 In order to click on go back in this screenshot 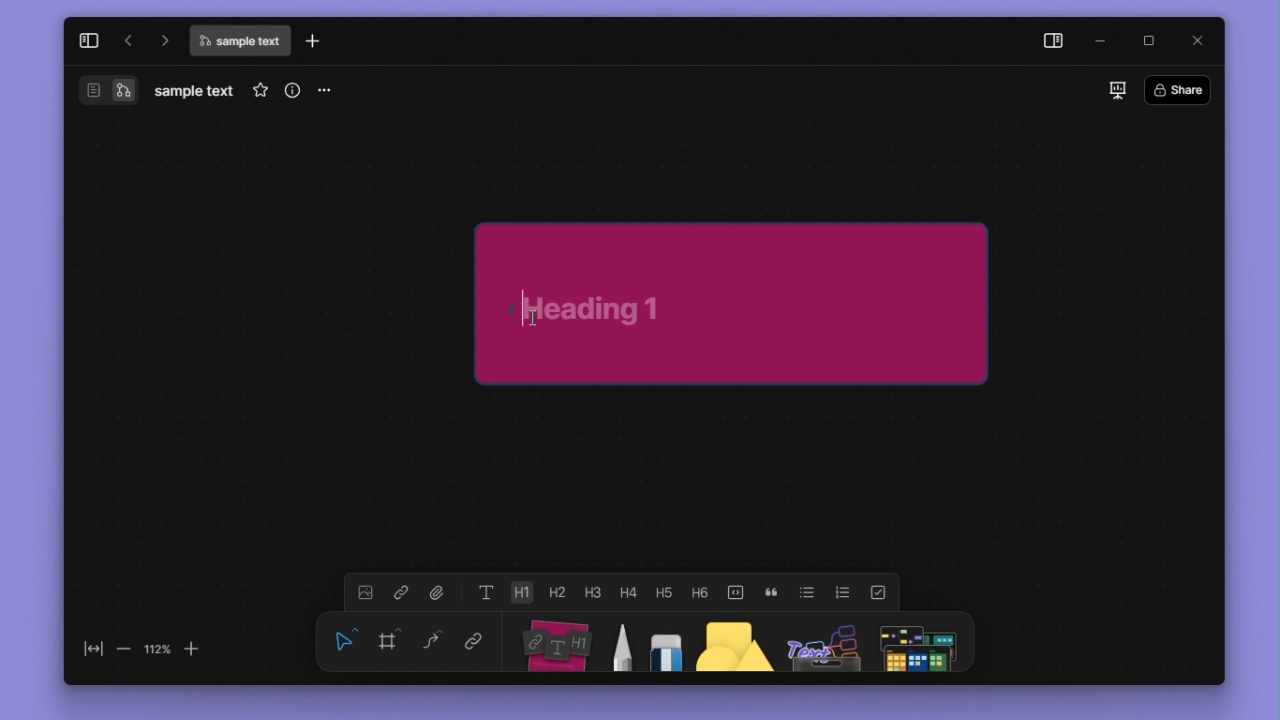, I will do `click(128, 40)`.